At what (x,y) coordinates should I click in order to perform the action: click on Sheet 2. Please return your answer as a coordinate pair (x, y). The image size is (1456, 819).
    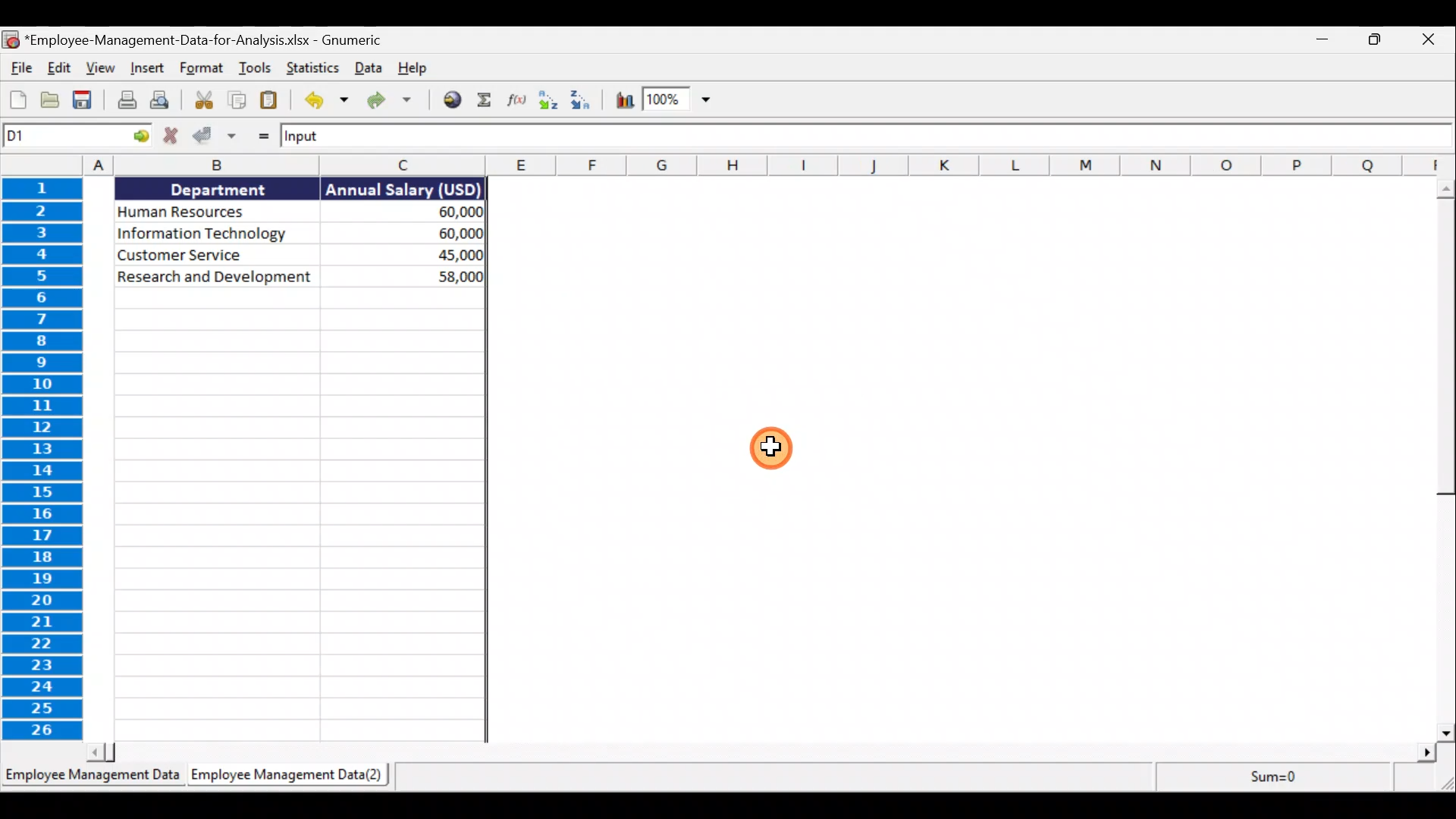
    Looking at the image, I should click on (289, 774).